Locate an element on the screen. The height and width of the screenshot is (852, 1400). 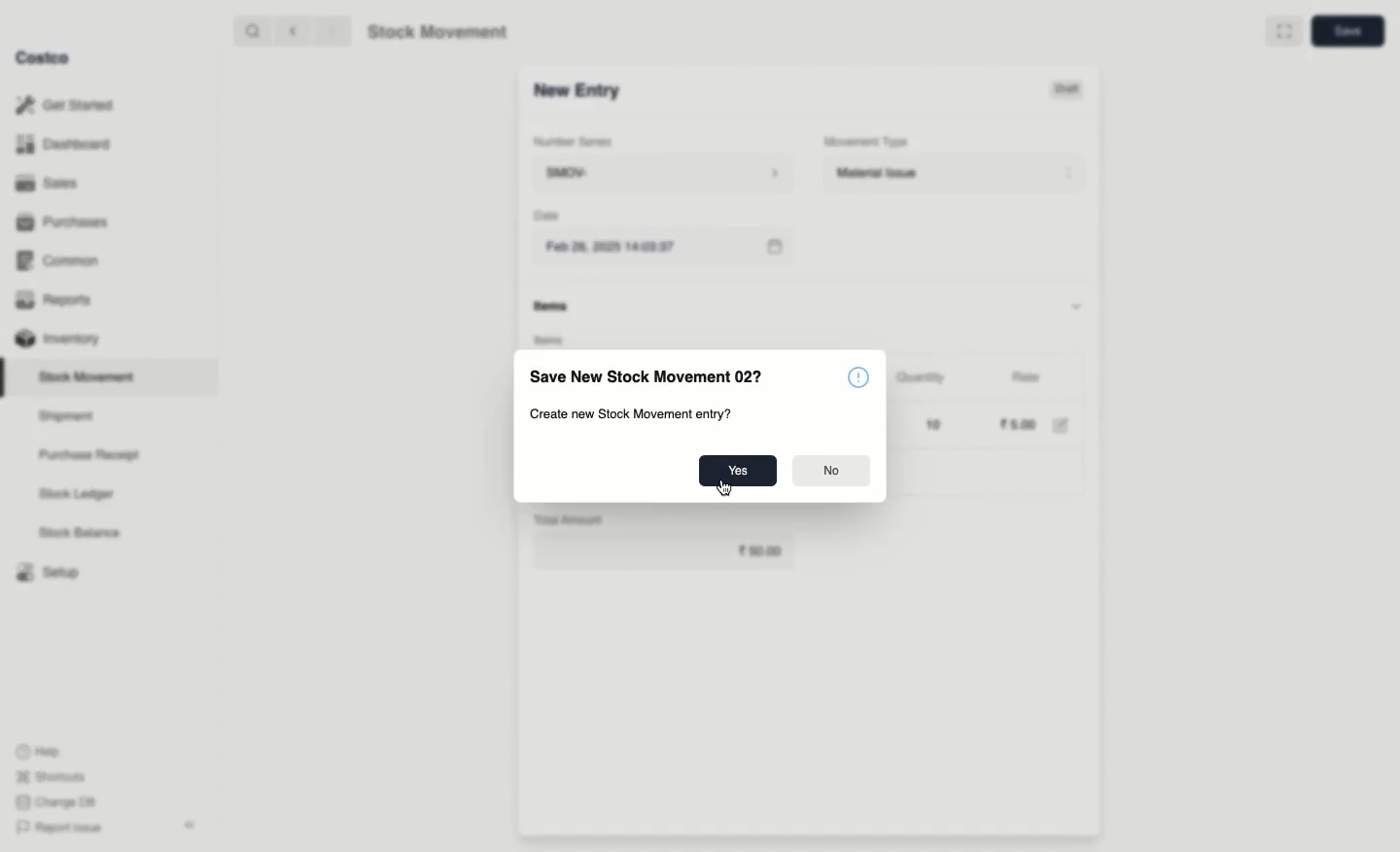
Yes is located at coordinates (734, 467).